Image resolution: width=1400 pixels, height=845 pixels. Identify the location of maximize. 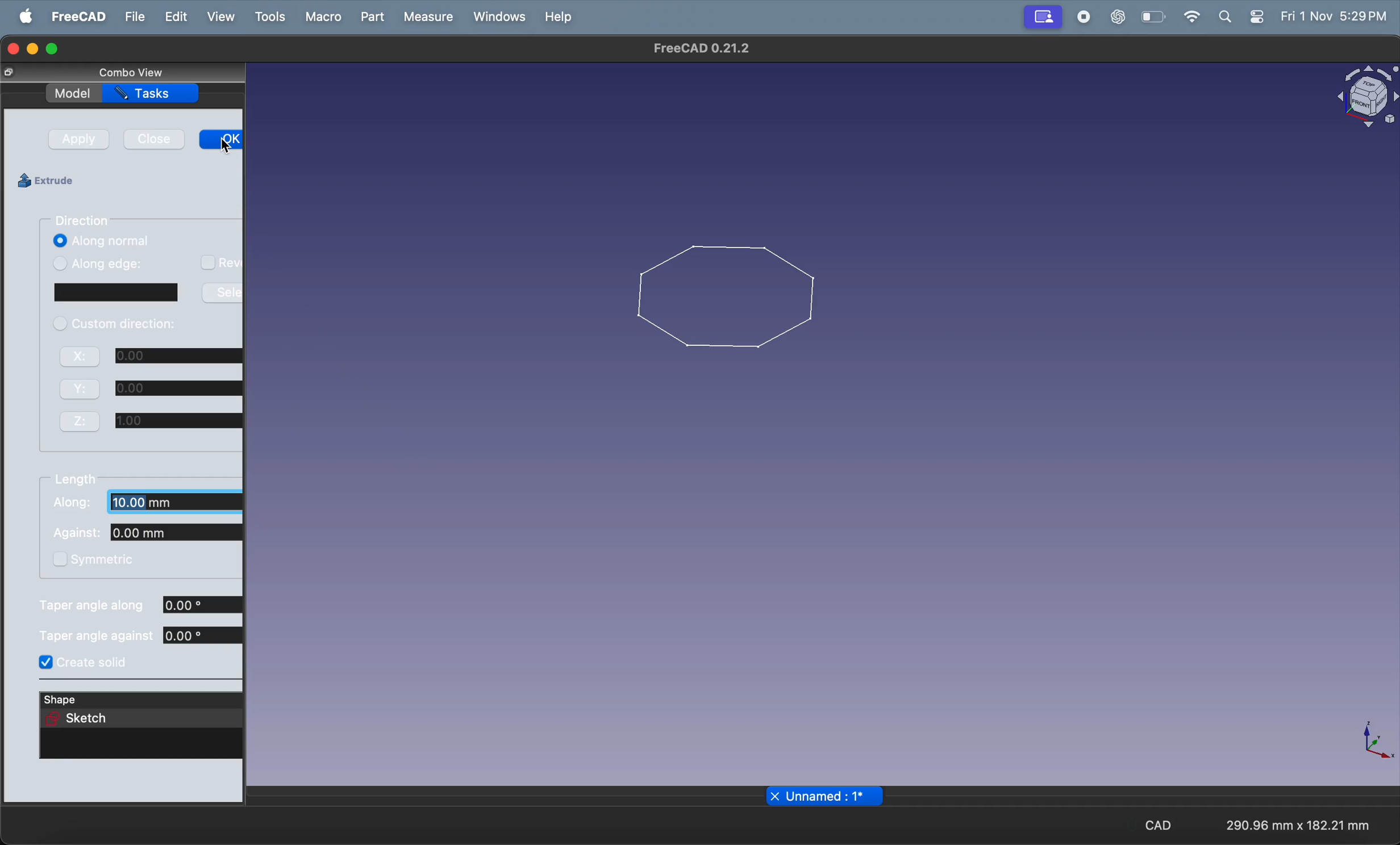
(53, 47).